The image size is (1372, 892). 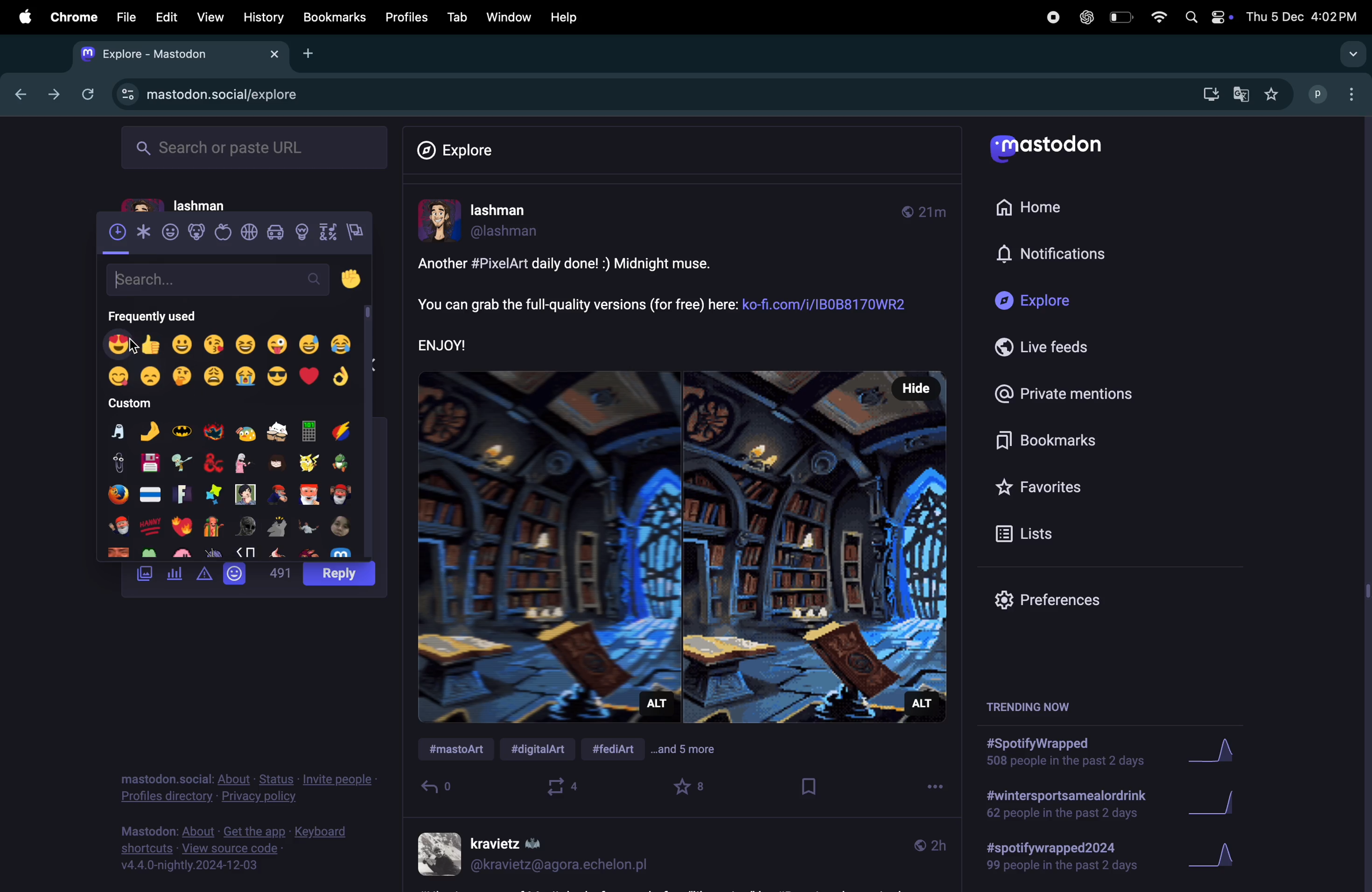 What do you see at coordinates (506, 17) in the screenshot?
I see `Window` at bounding box center [506, 17].